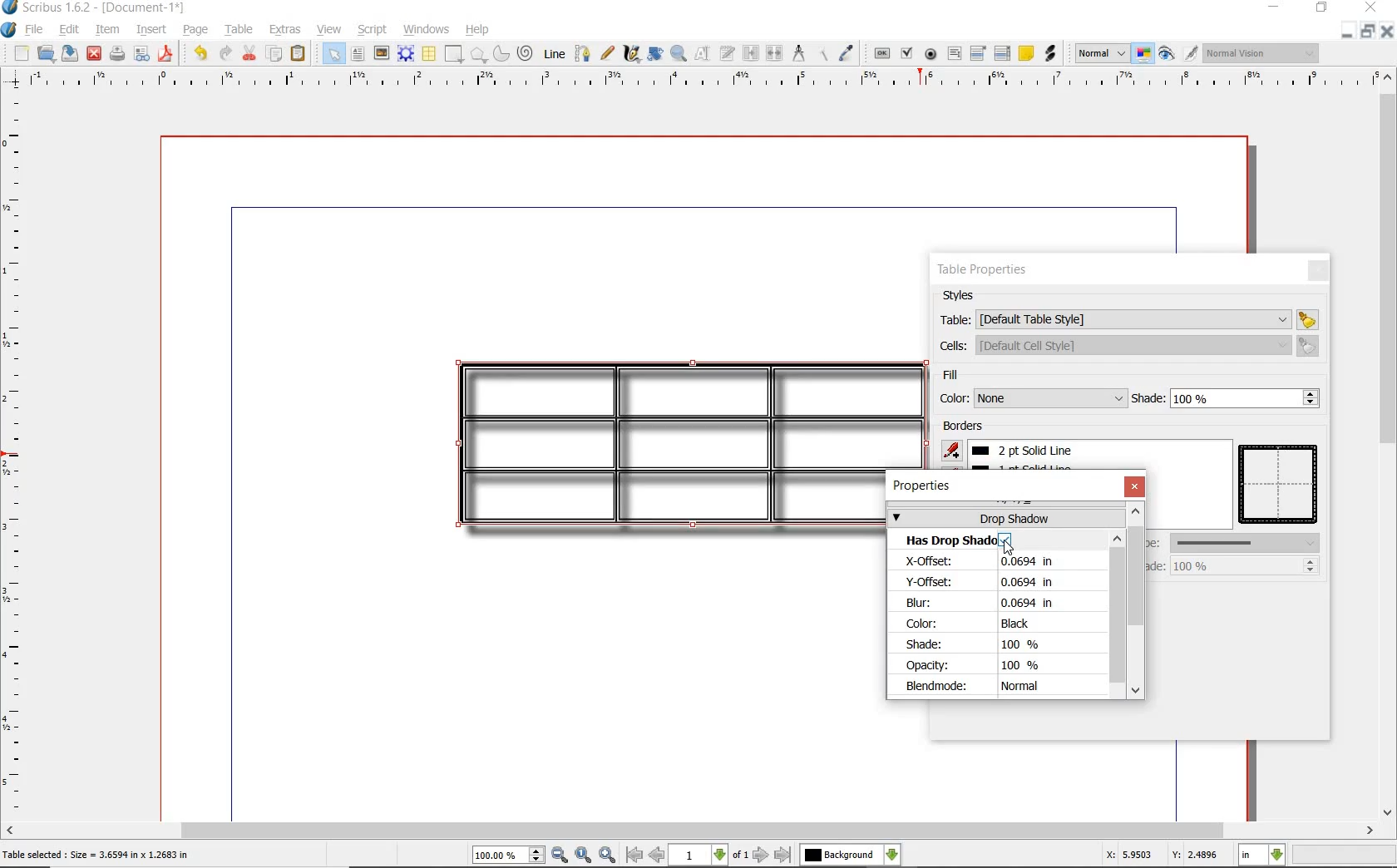 The height and width of the screenshot is (868, 1397). I want to click on link annotation, so click(1051, 54).